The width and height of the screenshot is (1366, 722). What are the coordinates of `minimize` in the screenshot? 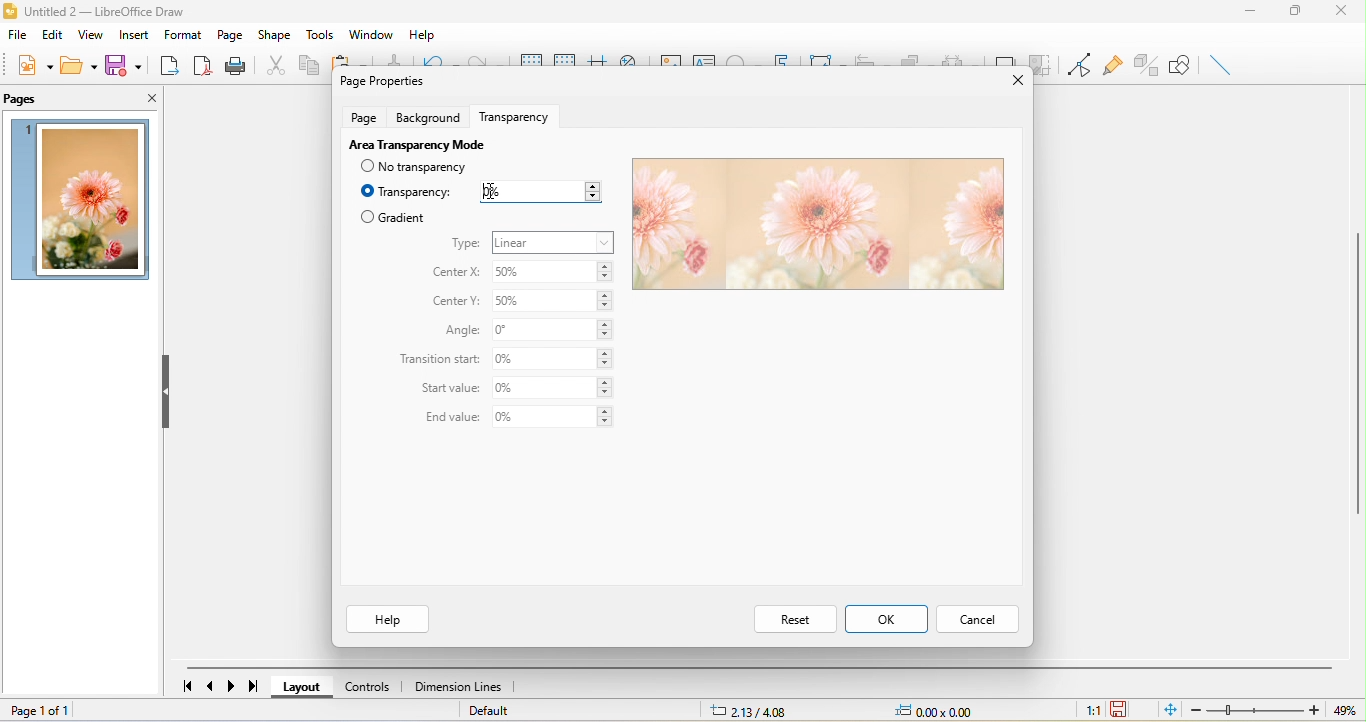 It's located at (1258, 13).